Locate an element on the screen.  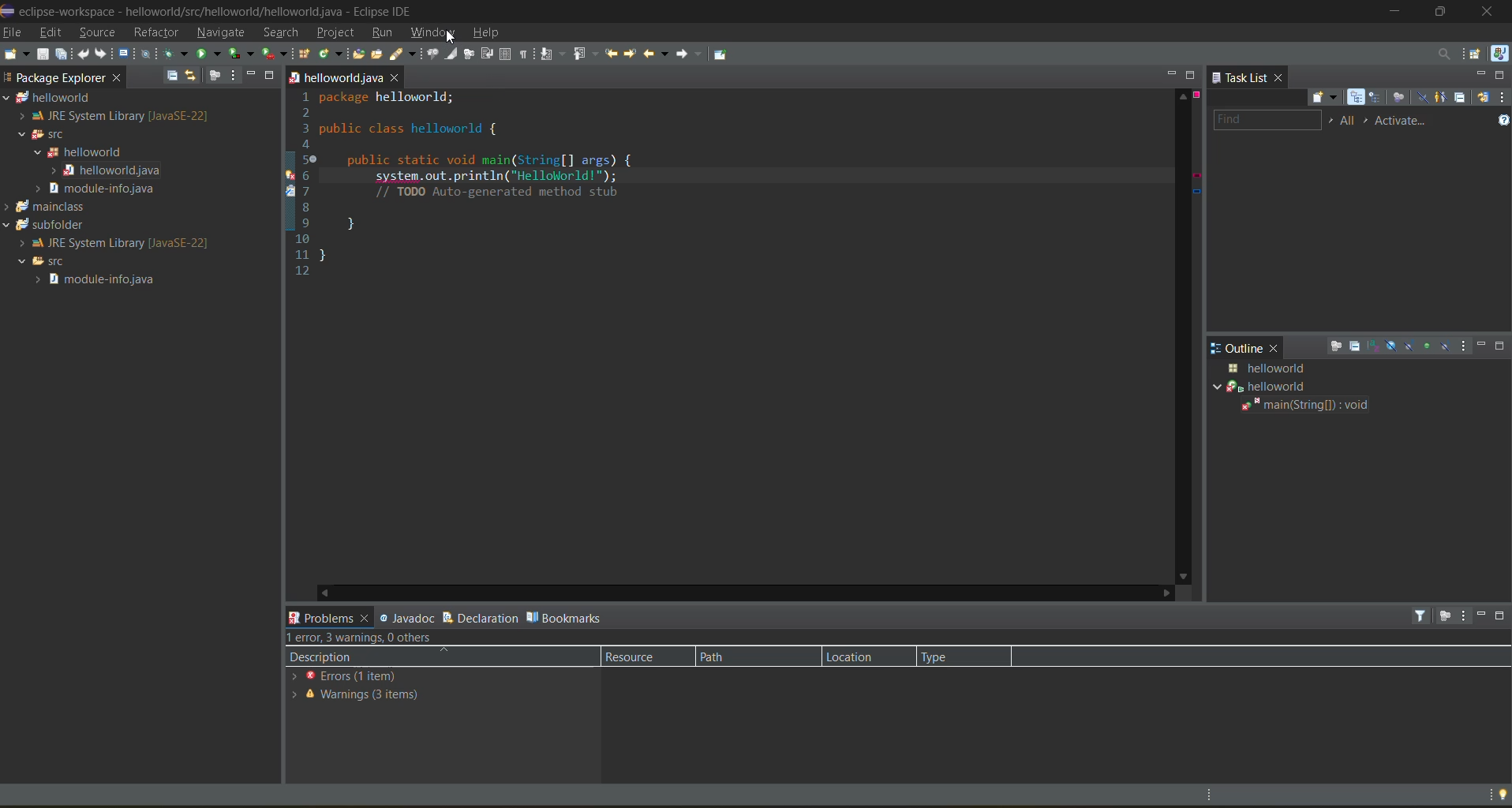
modules info java is located at coordinates (110, 190).